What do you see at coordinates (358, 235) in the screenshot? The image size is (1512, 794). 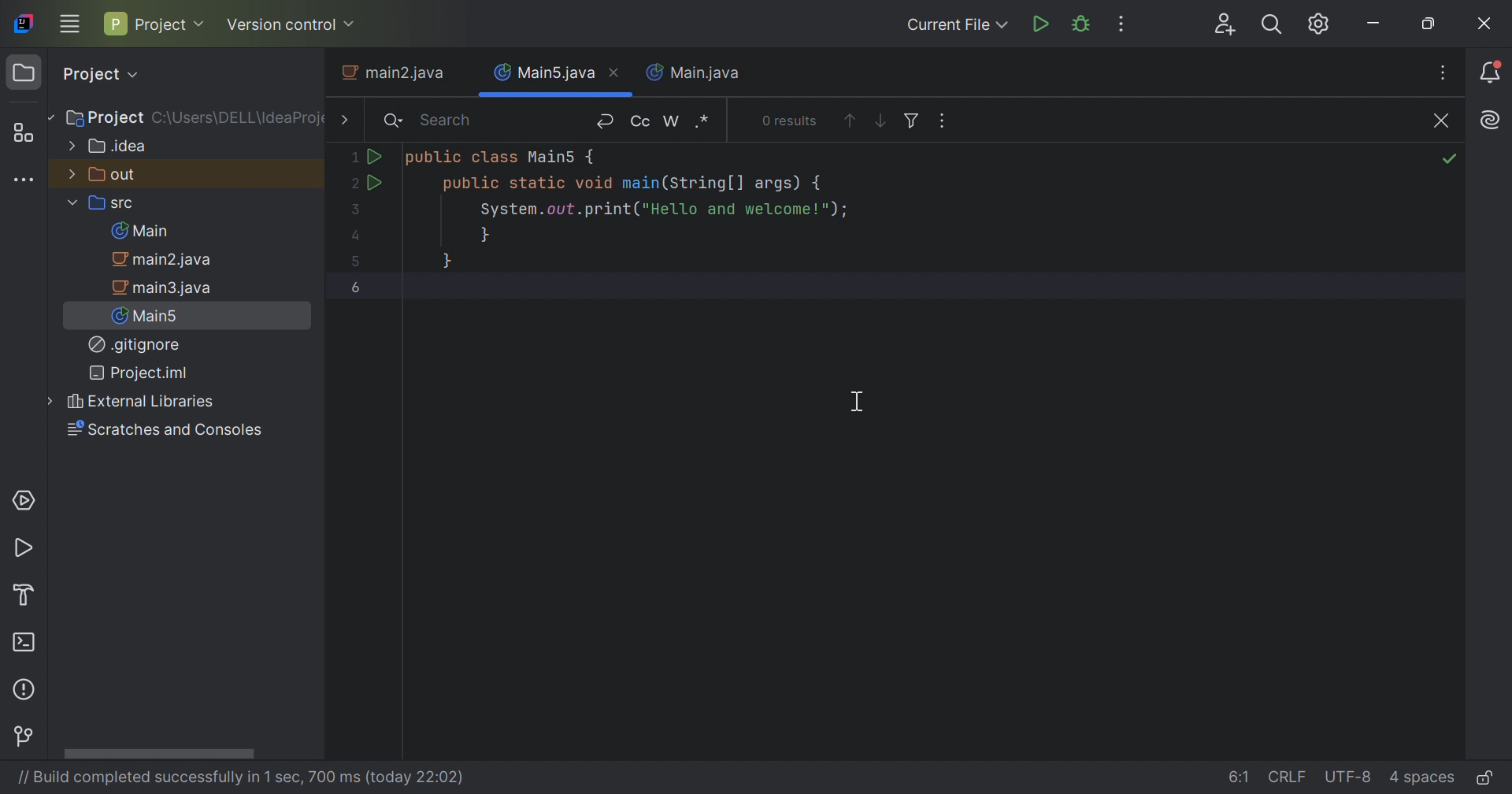 I see `` at bounding box center [358, 235].